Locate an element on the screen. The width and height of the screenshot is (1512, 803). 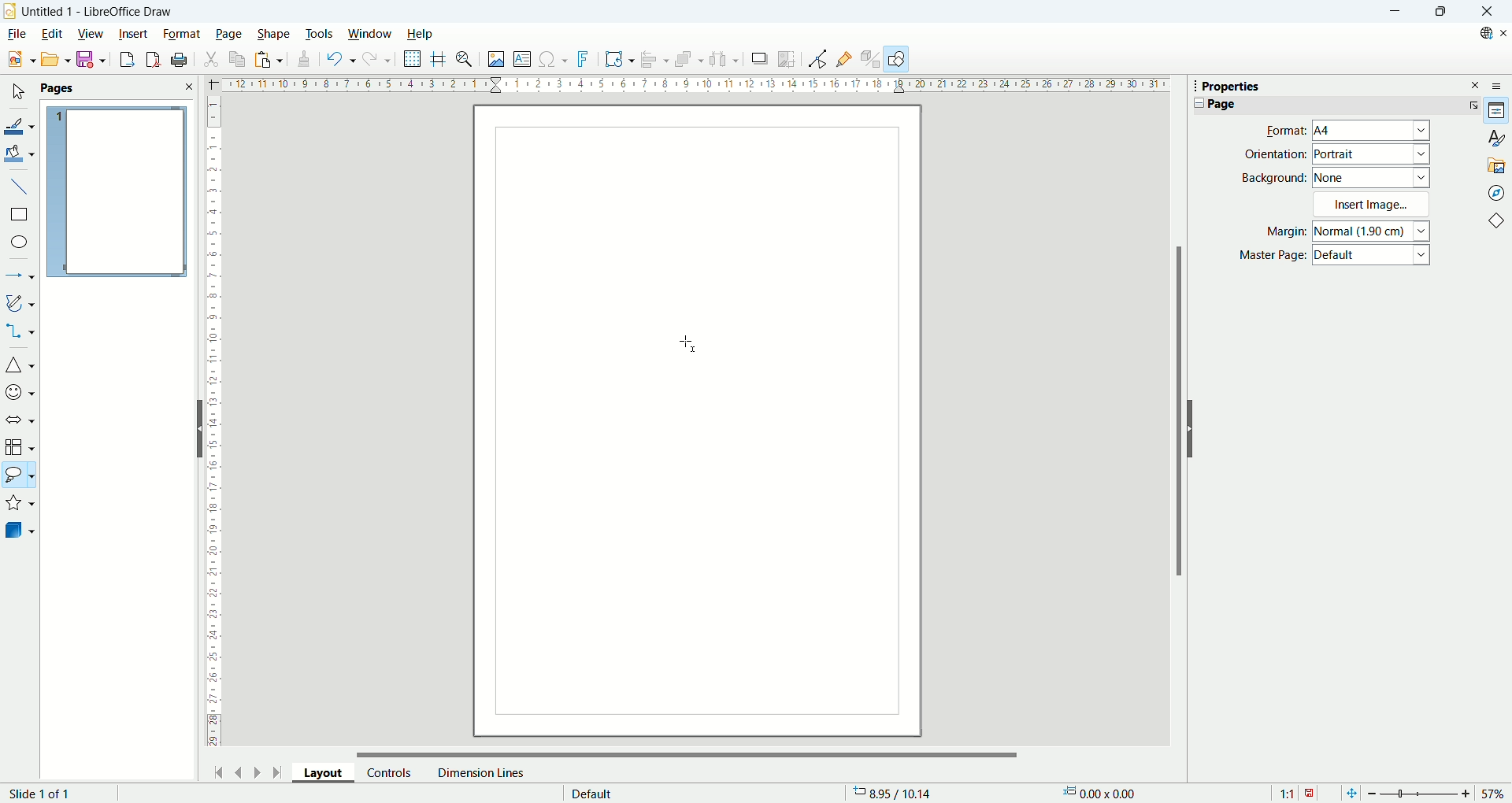
Cursor is located at coordinates (691, 342).